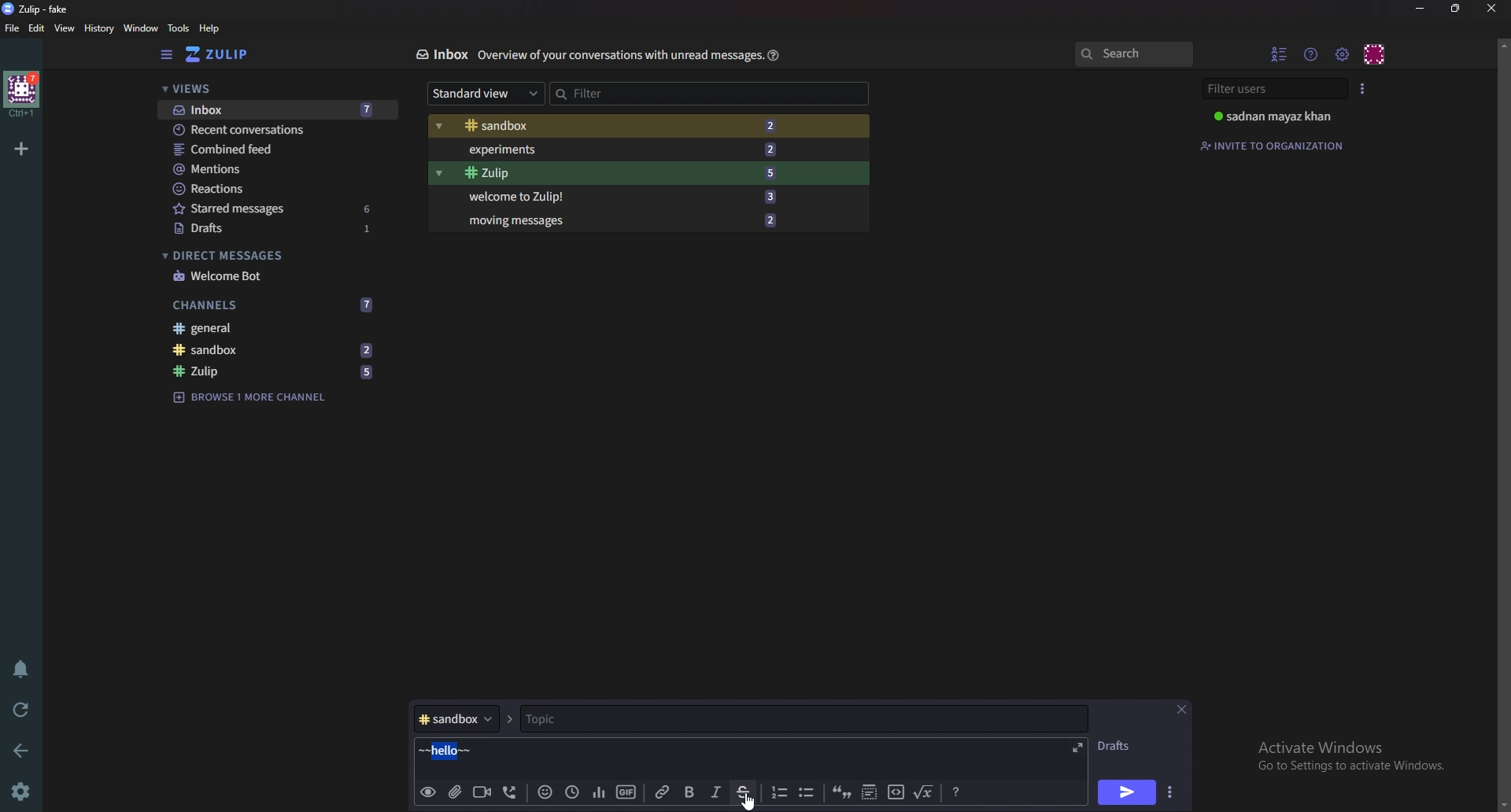  Describe the element at coordinates (623, 220) in the screenshot. I see `Moving messages` at that location.